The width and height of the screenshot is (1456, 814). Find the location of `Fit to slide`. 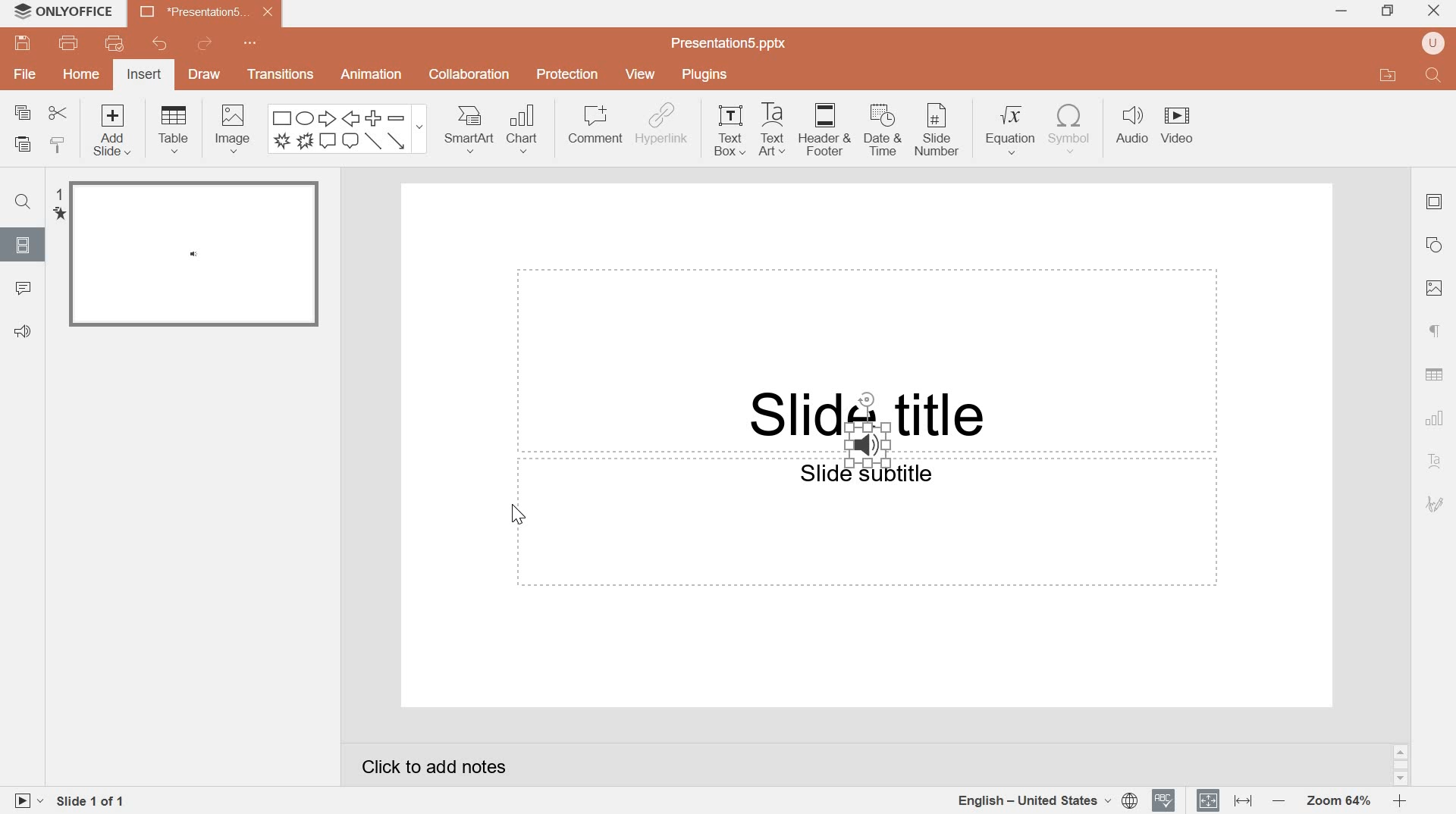

Fit to slide is located at coordinates (1209, 799).